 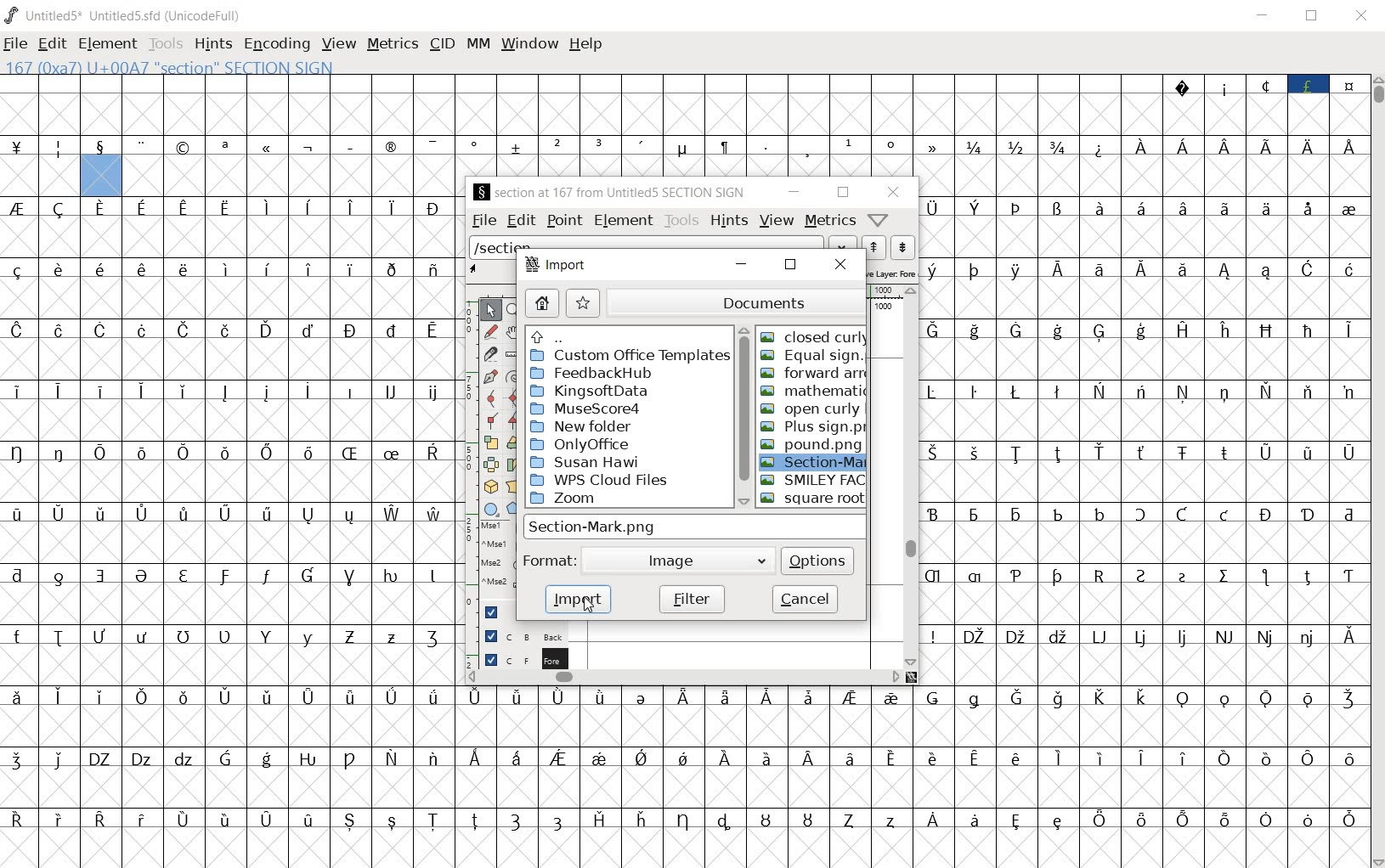 What do you see at coordinates (1241, 146) in the screenshot?
I see `special letters` at bounding box center [1241, 146].